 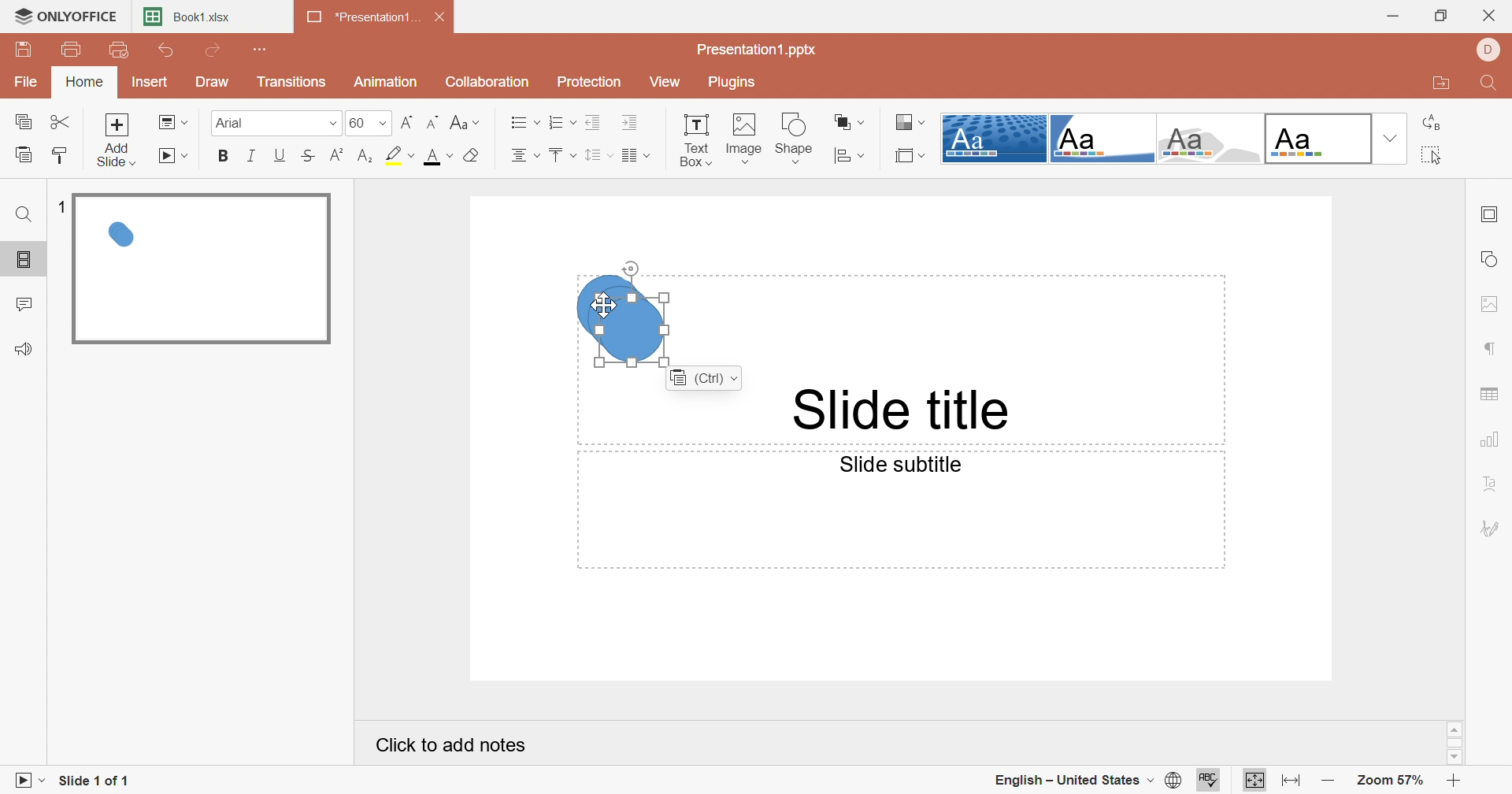 I want to click on Quick print, so click(x=118, y=50).